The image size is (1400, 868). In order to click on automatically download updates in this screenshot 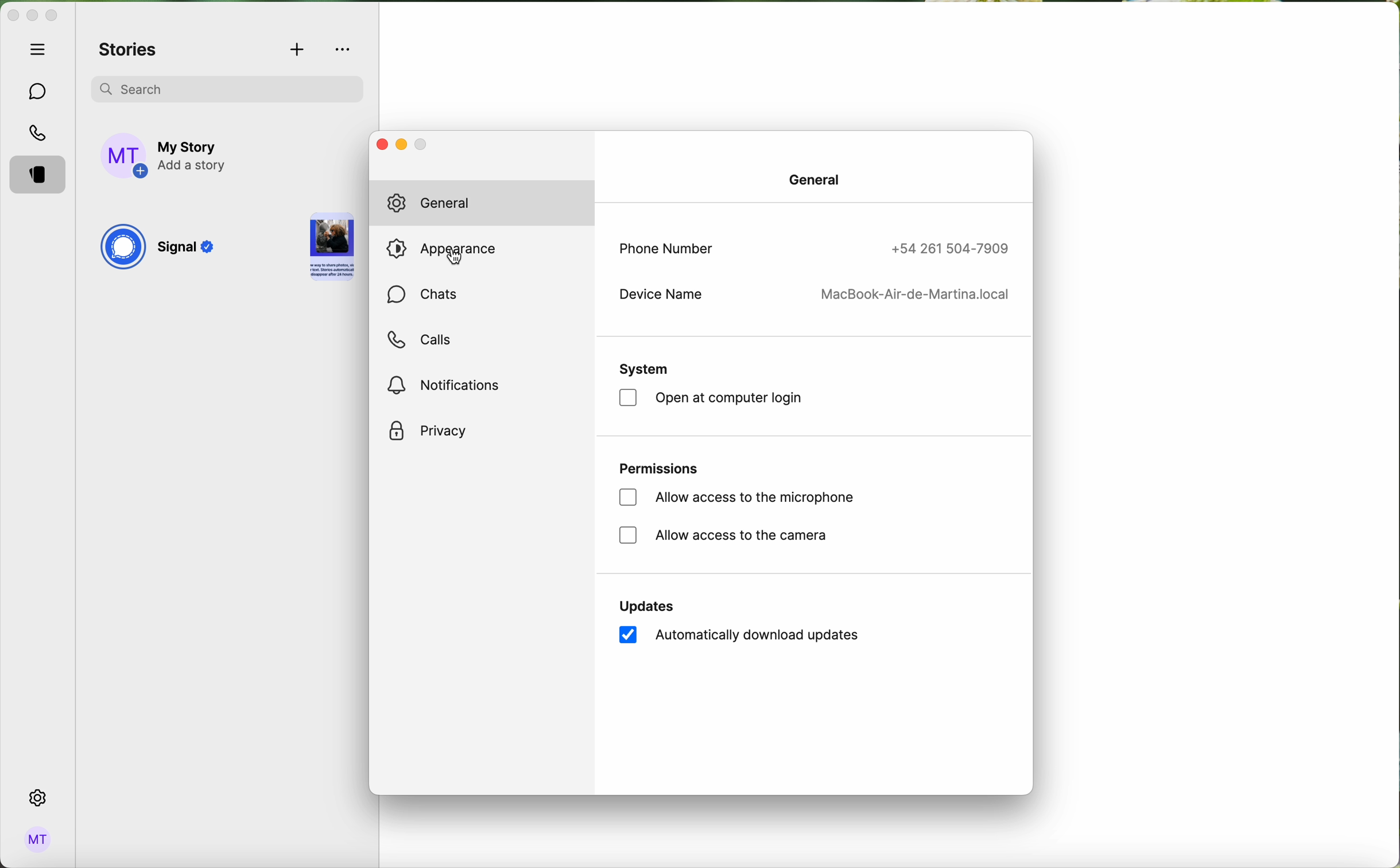, I will do `click(764, 636)`.